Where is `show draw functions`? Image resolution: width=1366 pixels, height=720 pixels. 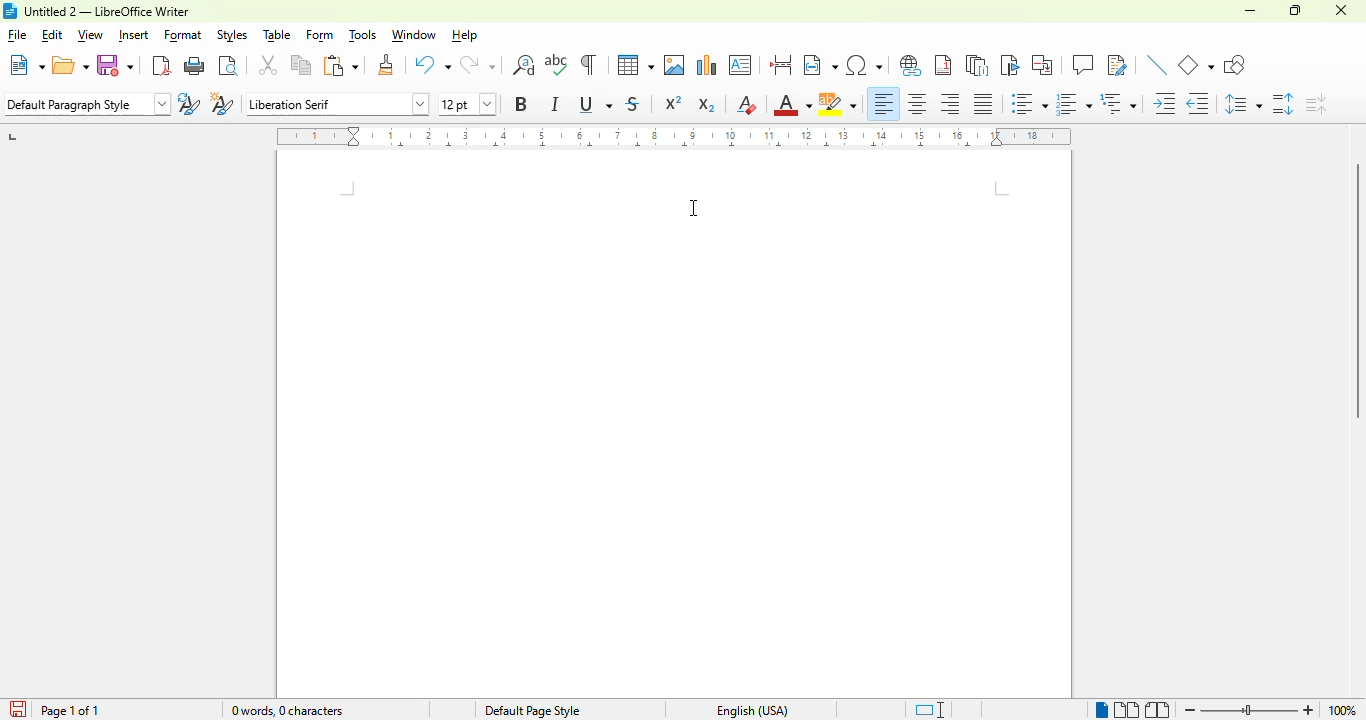 show draw functions is located at coordinates (1235, 65).